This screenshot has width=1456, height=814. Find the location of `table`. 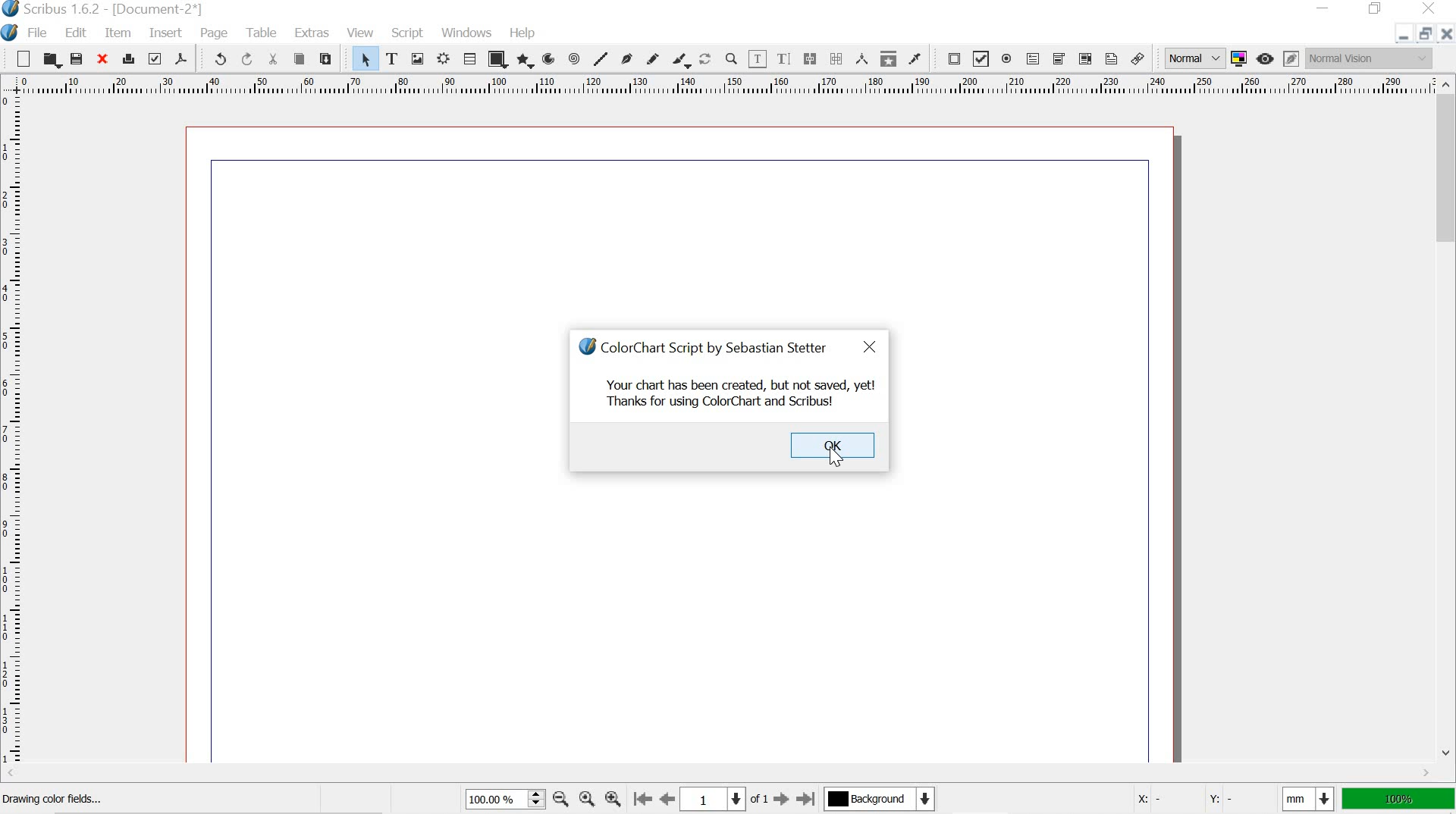

table is located at coordinates (470, 58).